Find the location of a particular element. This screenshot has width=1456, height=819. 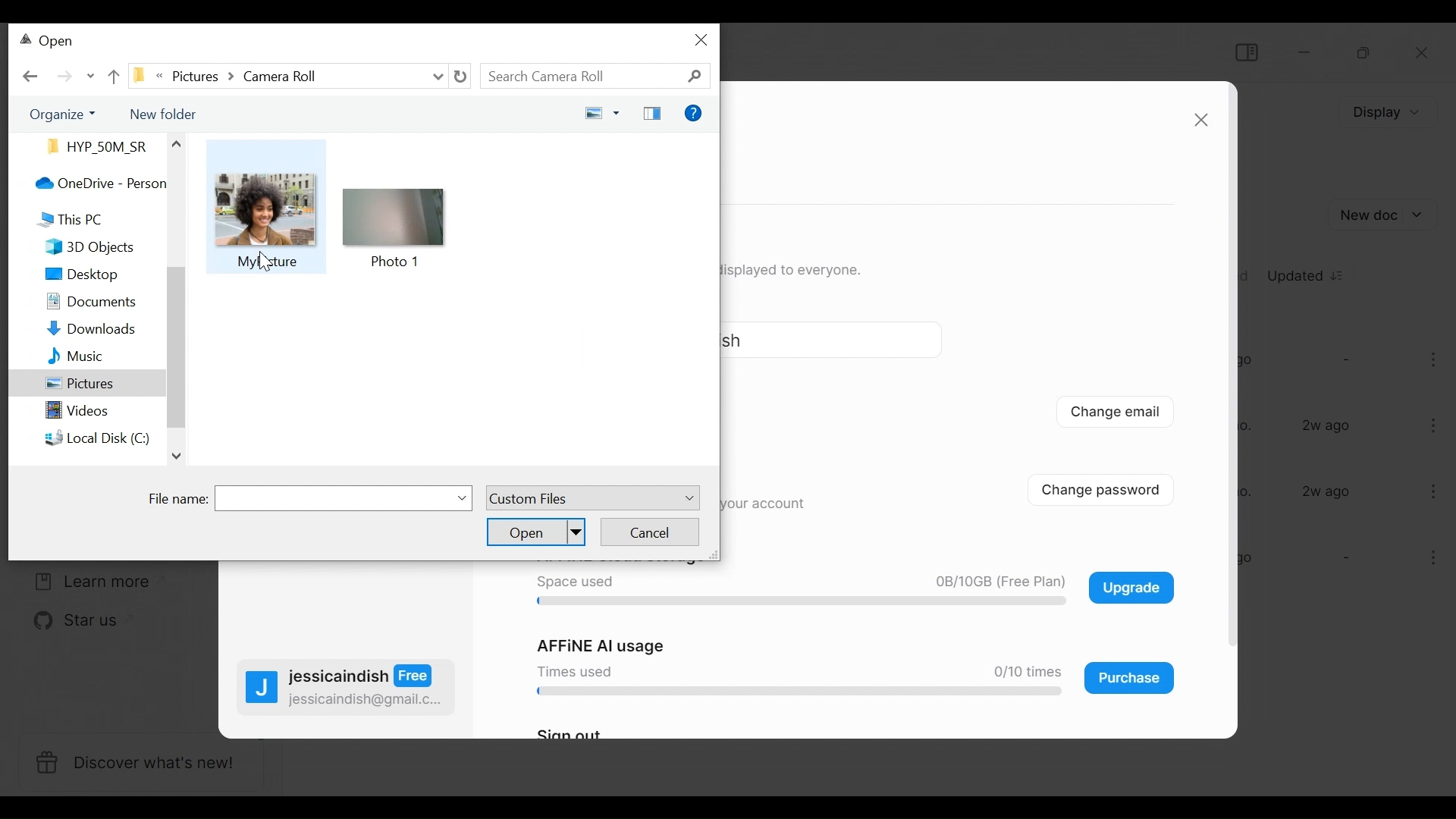

0/10 times is located at coordinates (1021, 672).